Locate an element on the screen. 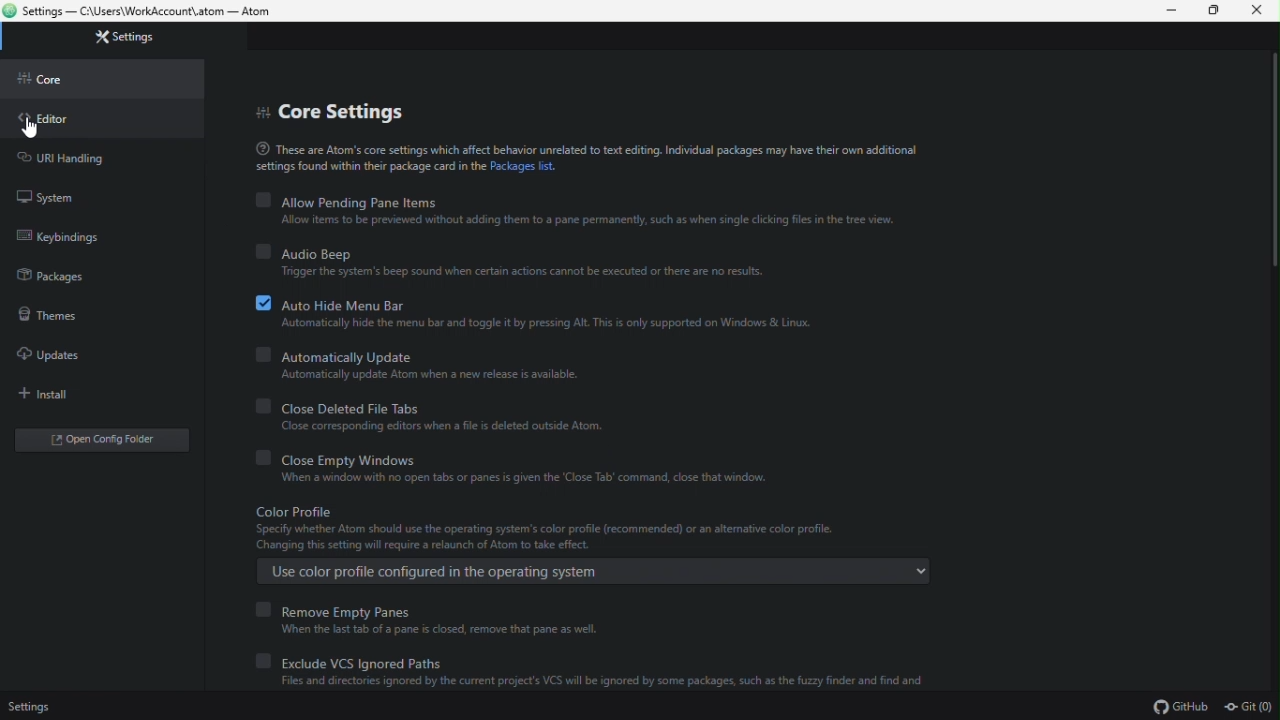 This screenshot has height=720, width=1280. Exclude vcs ignored paths is located at coordinates (610, 661).